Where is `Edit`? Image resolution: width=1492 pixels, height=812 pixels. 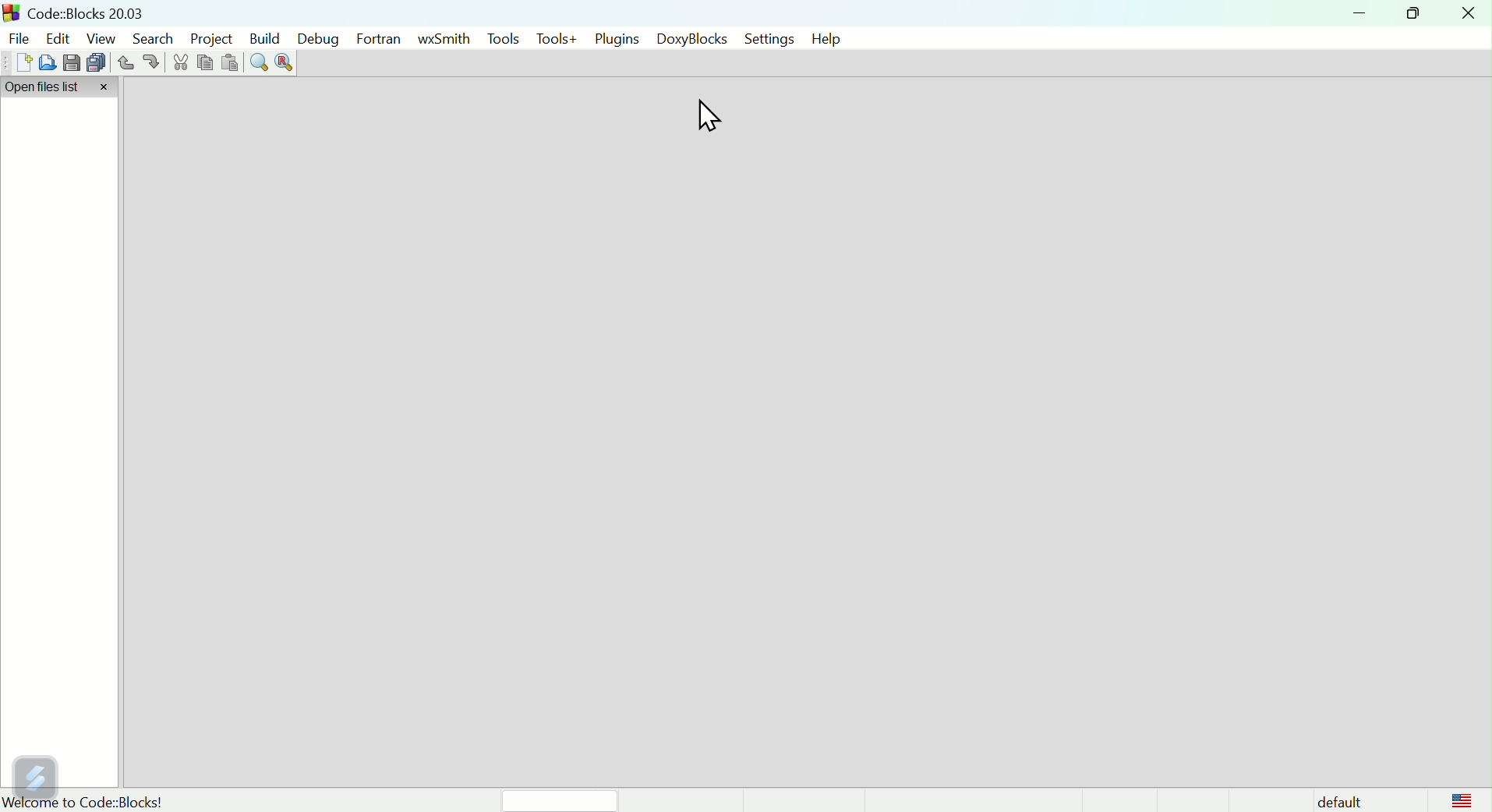
Edit is located at coordinates (60, 37).